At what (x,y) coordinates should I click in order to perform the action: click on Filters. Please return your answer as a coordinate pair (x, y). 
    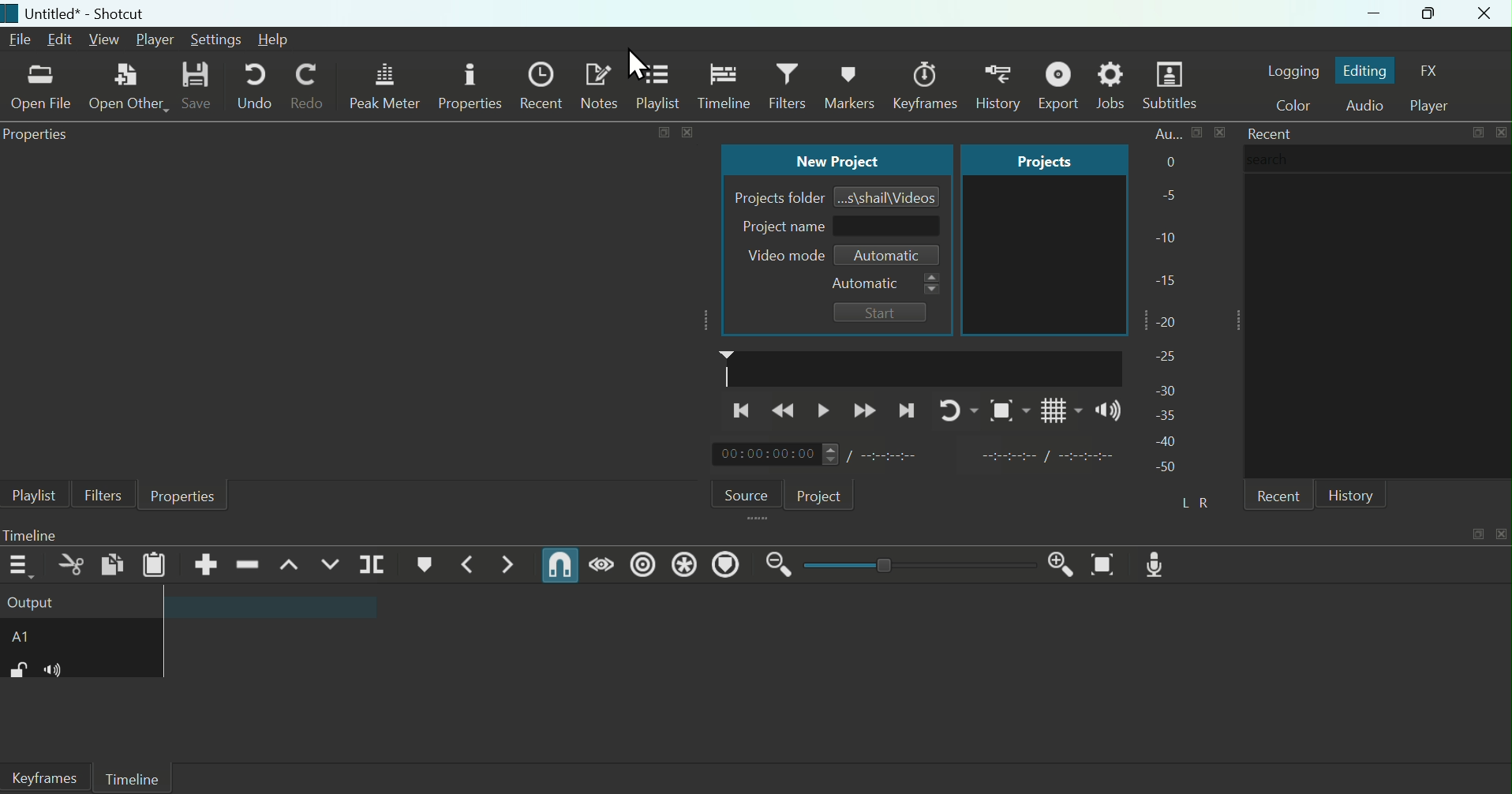
    Looking at the image, I should click on (789, 87).